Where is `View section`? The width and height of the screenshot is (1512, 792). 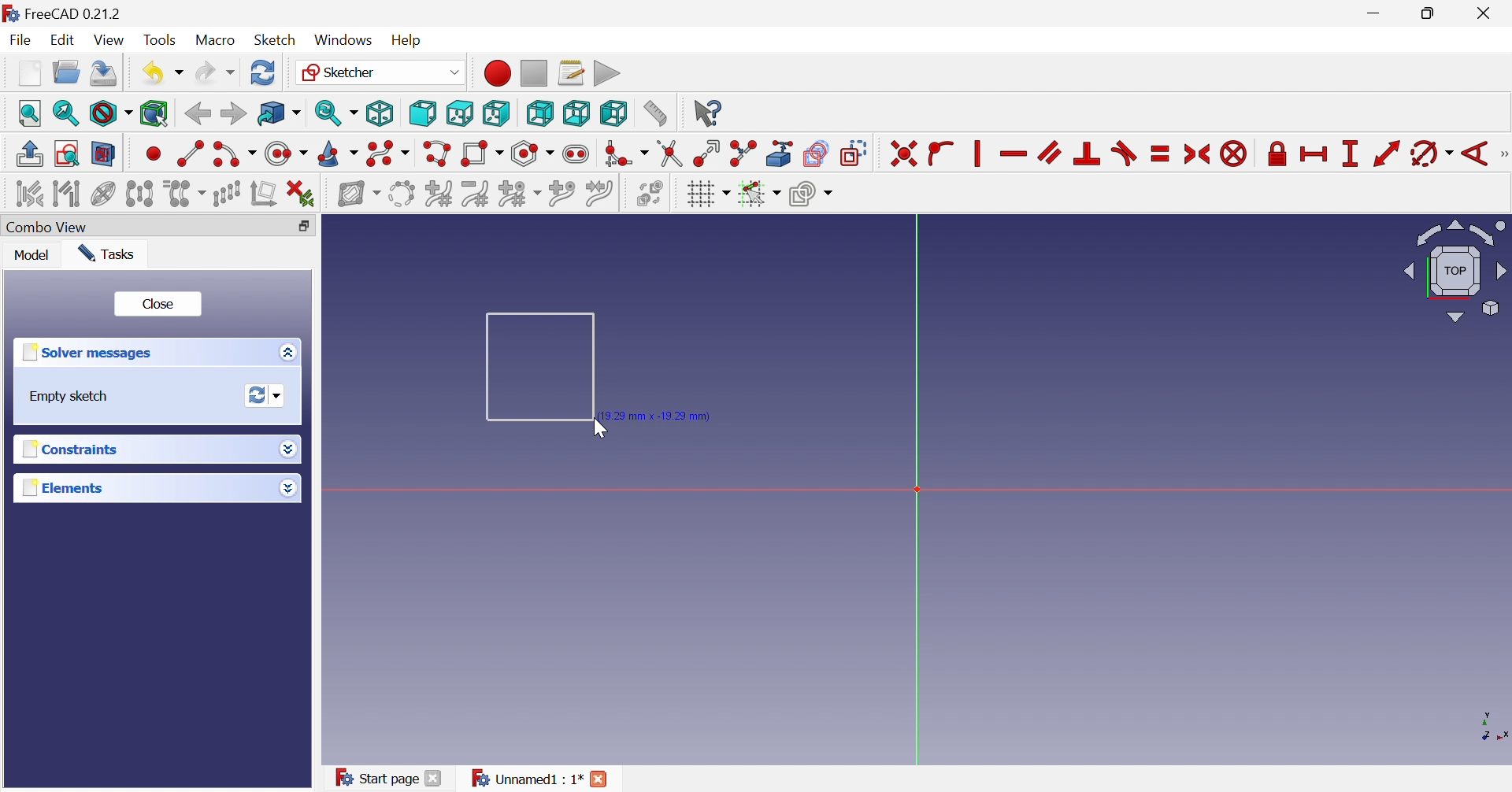 View section is located at coordinates (103, 154).